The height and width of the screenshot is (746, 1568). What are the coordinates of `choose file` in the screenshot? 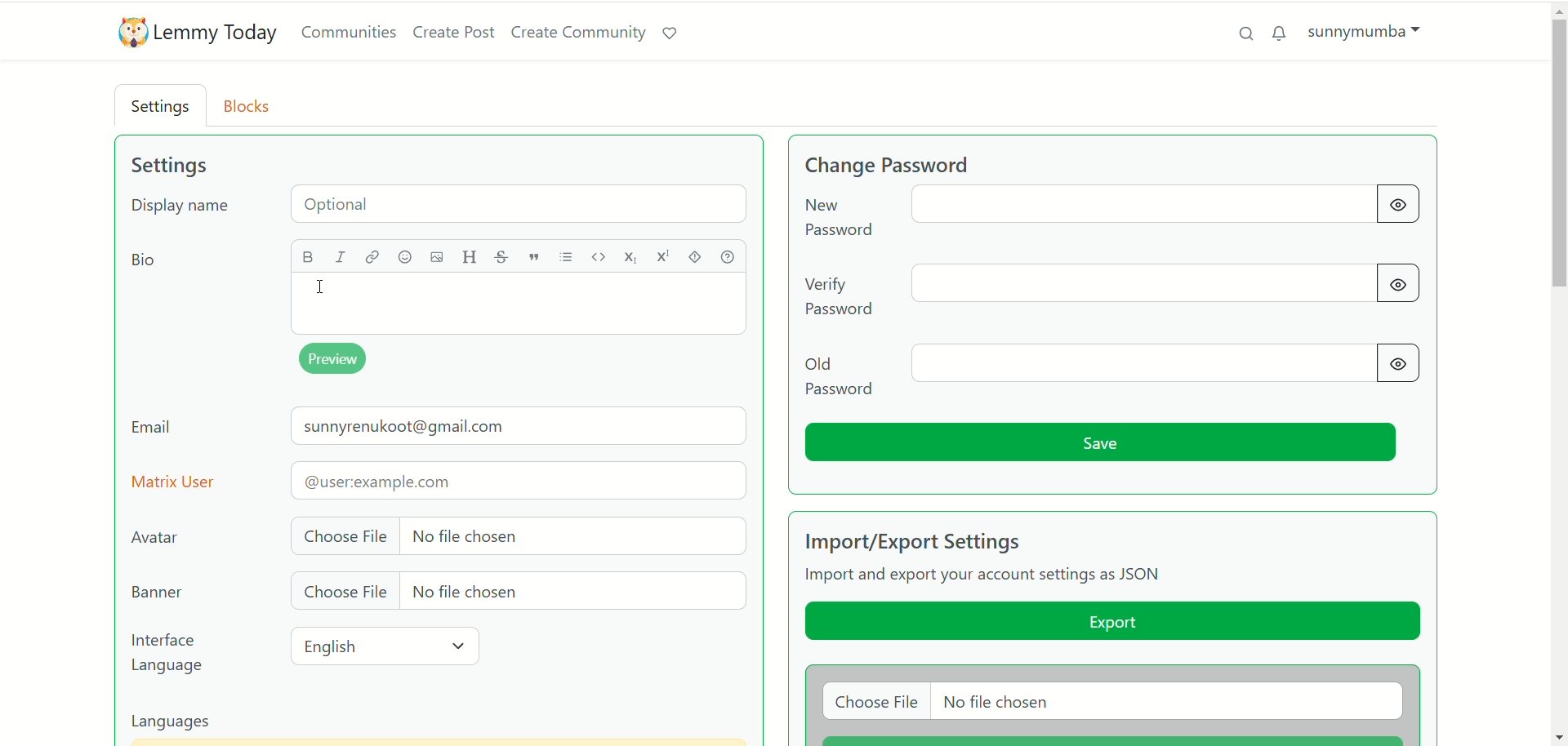 It's located at (516, 535).